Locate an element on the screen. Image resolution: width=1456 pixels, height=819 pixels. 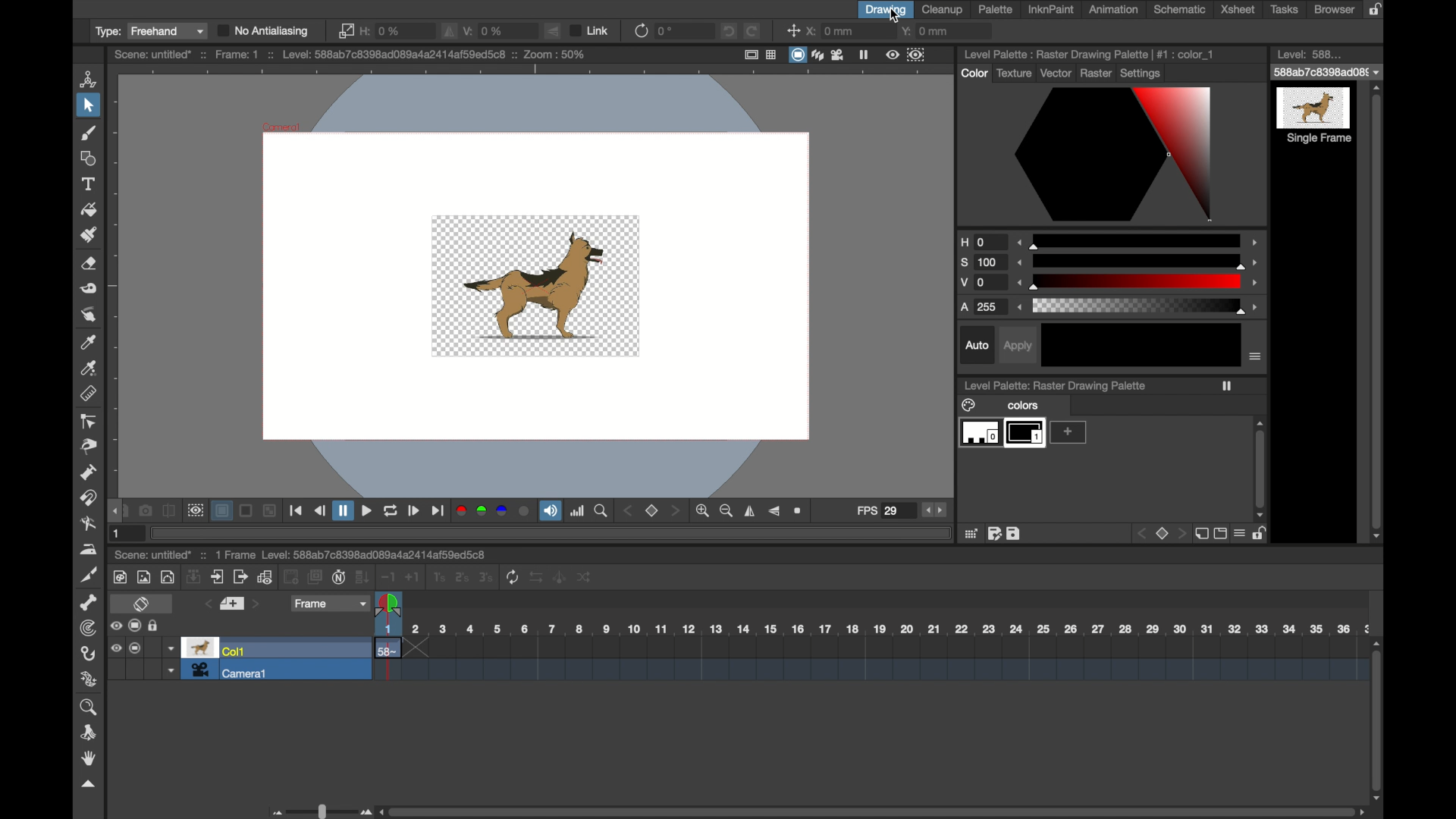
eye and pause is located at coordinates (132, 654).